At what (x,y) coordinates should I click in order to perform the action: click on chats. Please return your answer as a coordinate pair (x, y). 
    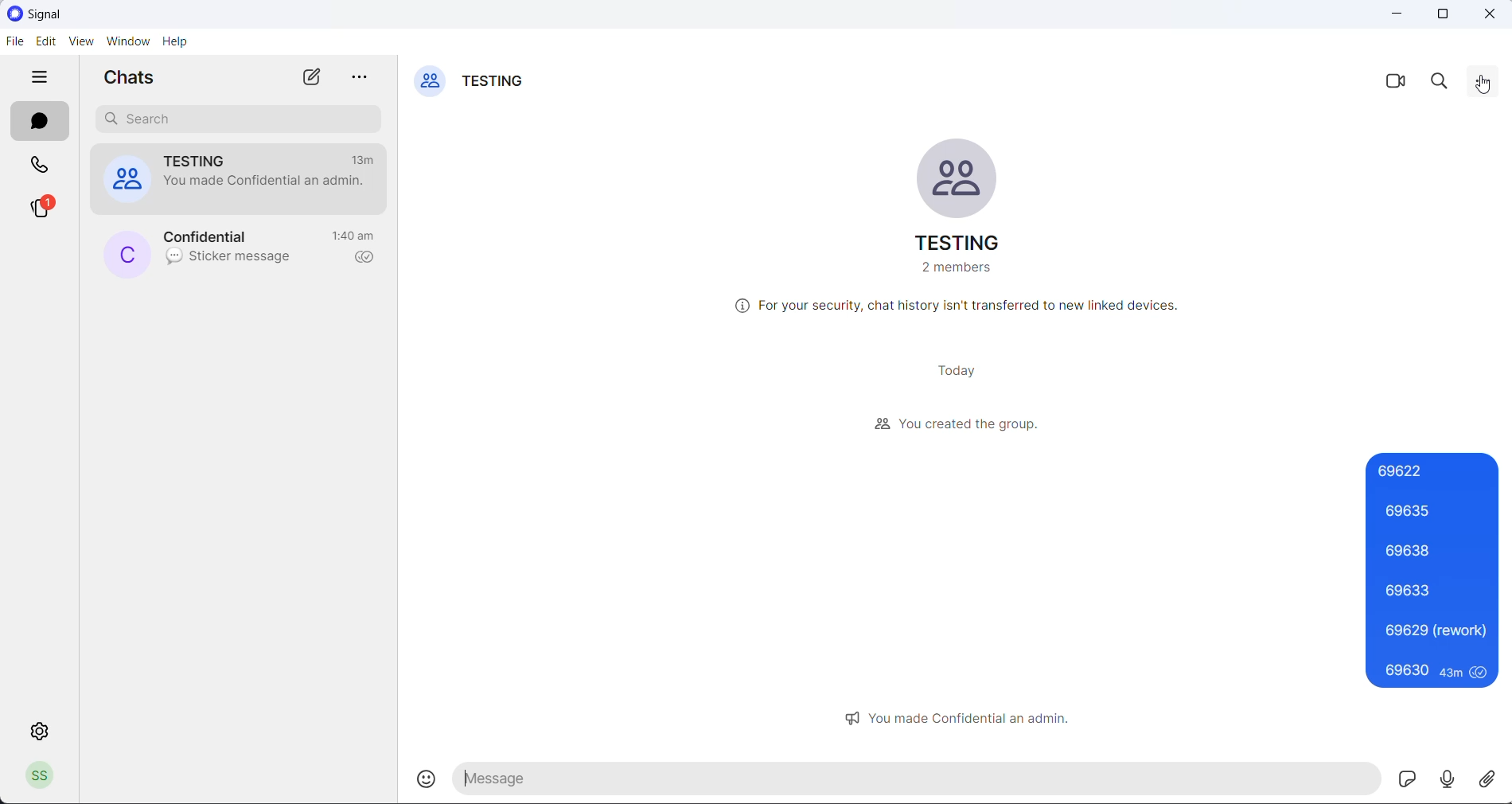
    Looking at the image, I should click on (41, 120).